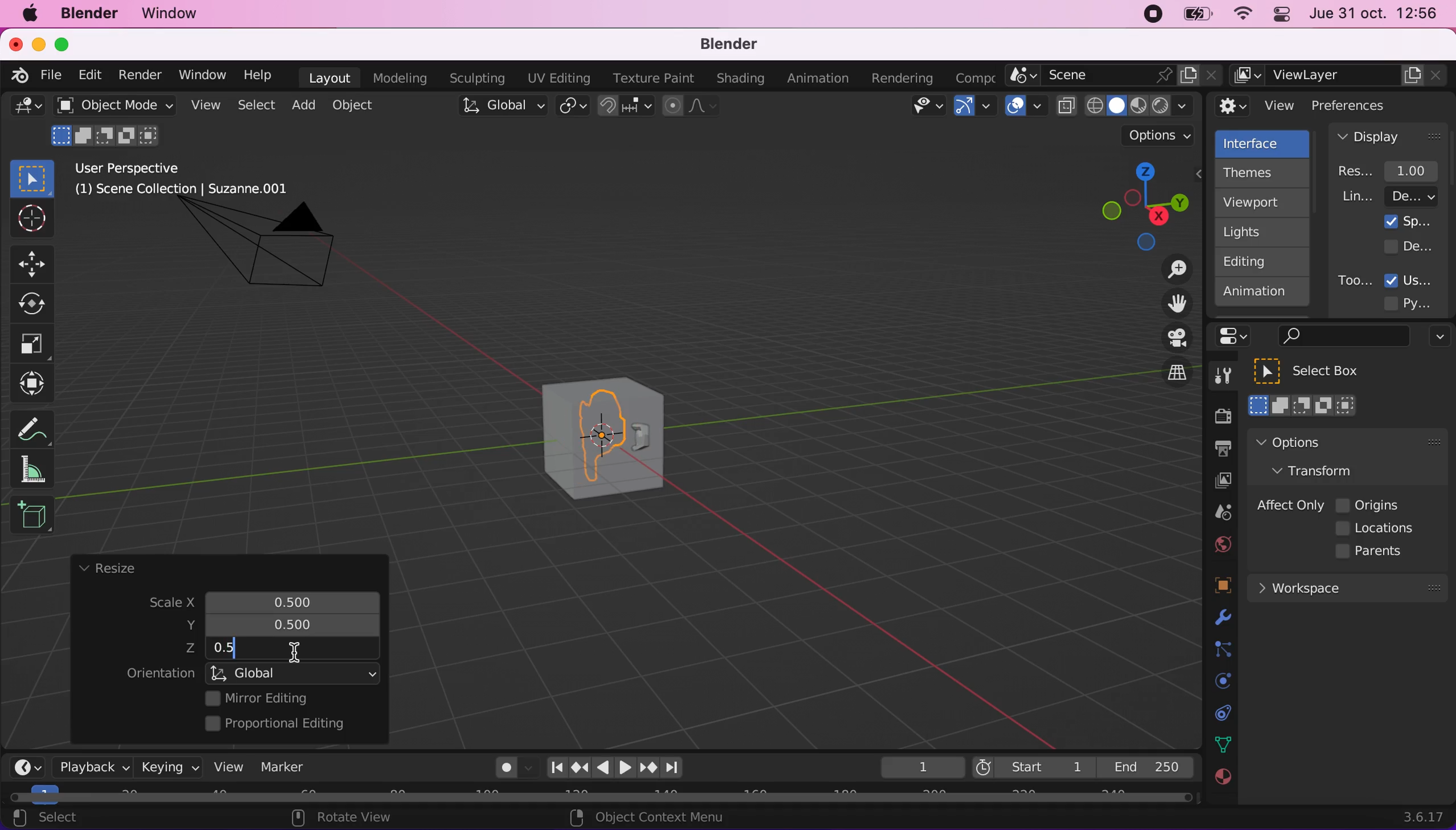 Image resolution: width=1456 pixels, height=830 pixels. I want to click on close, so click(15, 43).